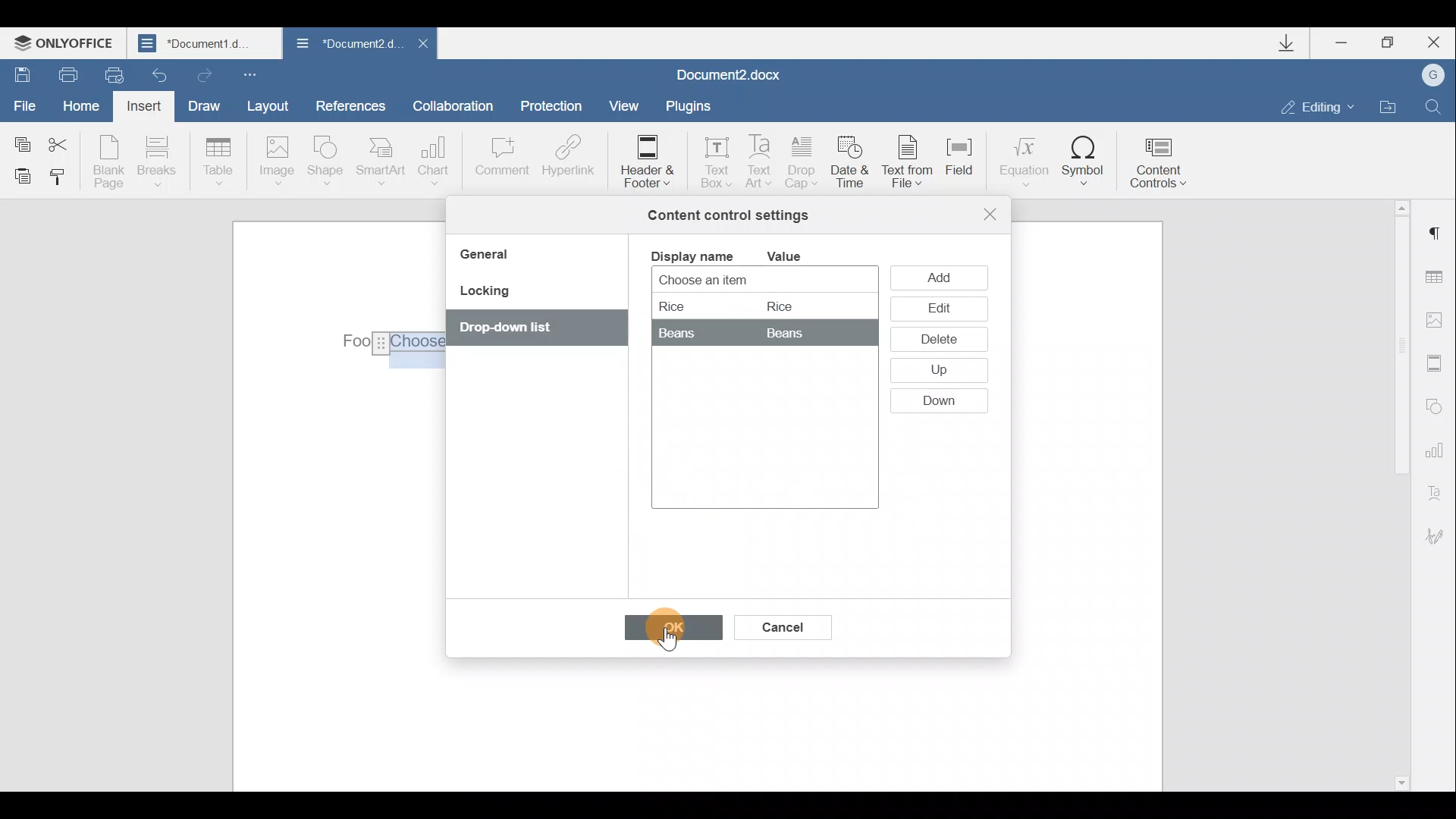  What do you see at coordinates (112, 76) in the screenshot?
I see `Quick print` at bounding box center [112, 76].